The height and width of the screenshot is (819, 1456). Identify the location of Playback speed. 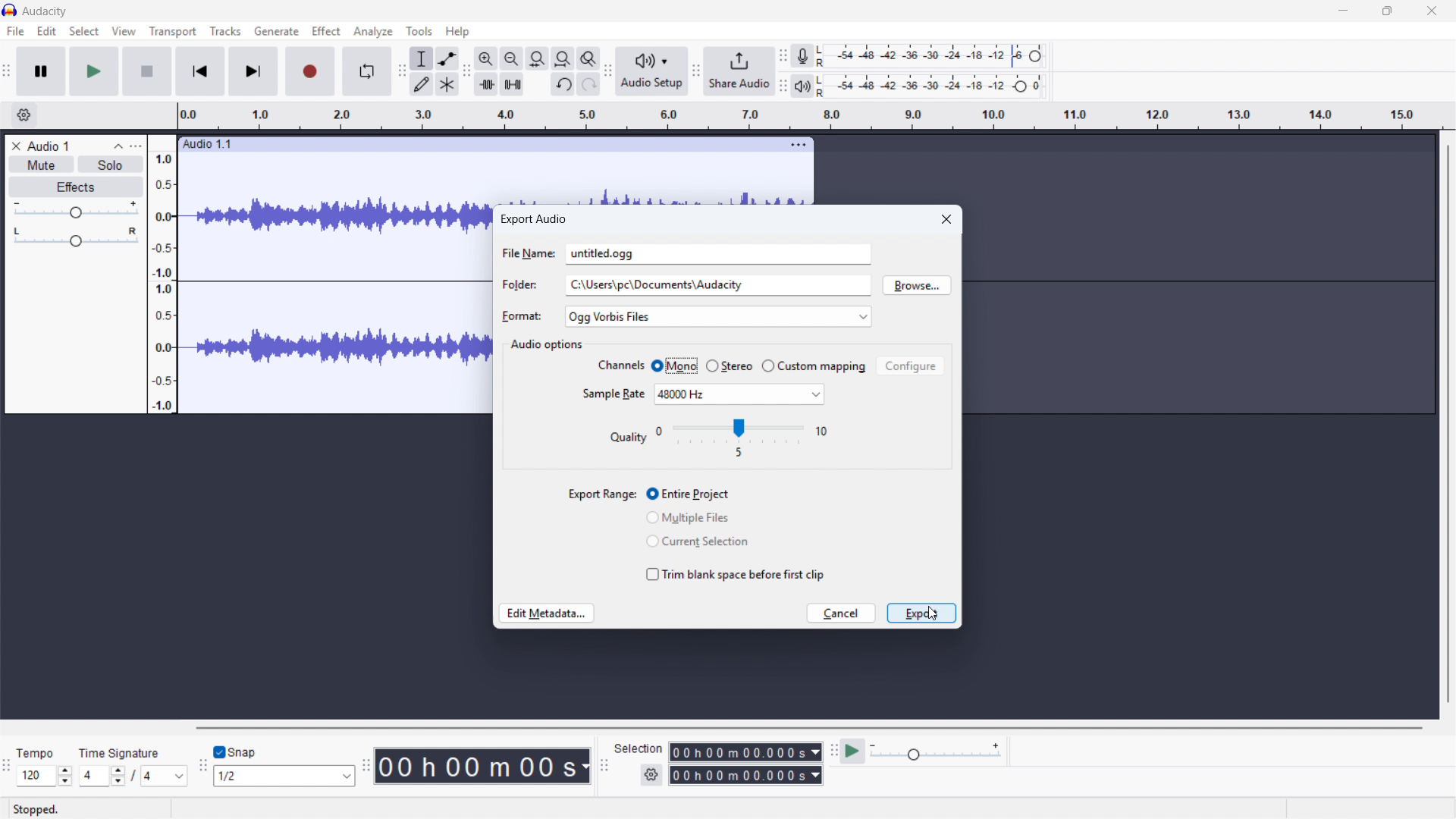
(935, 752).